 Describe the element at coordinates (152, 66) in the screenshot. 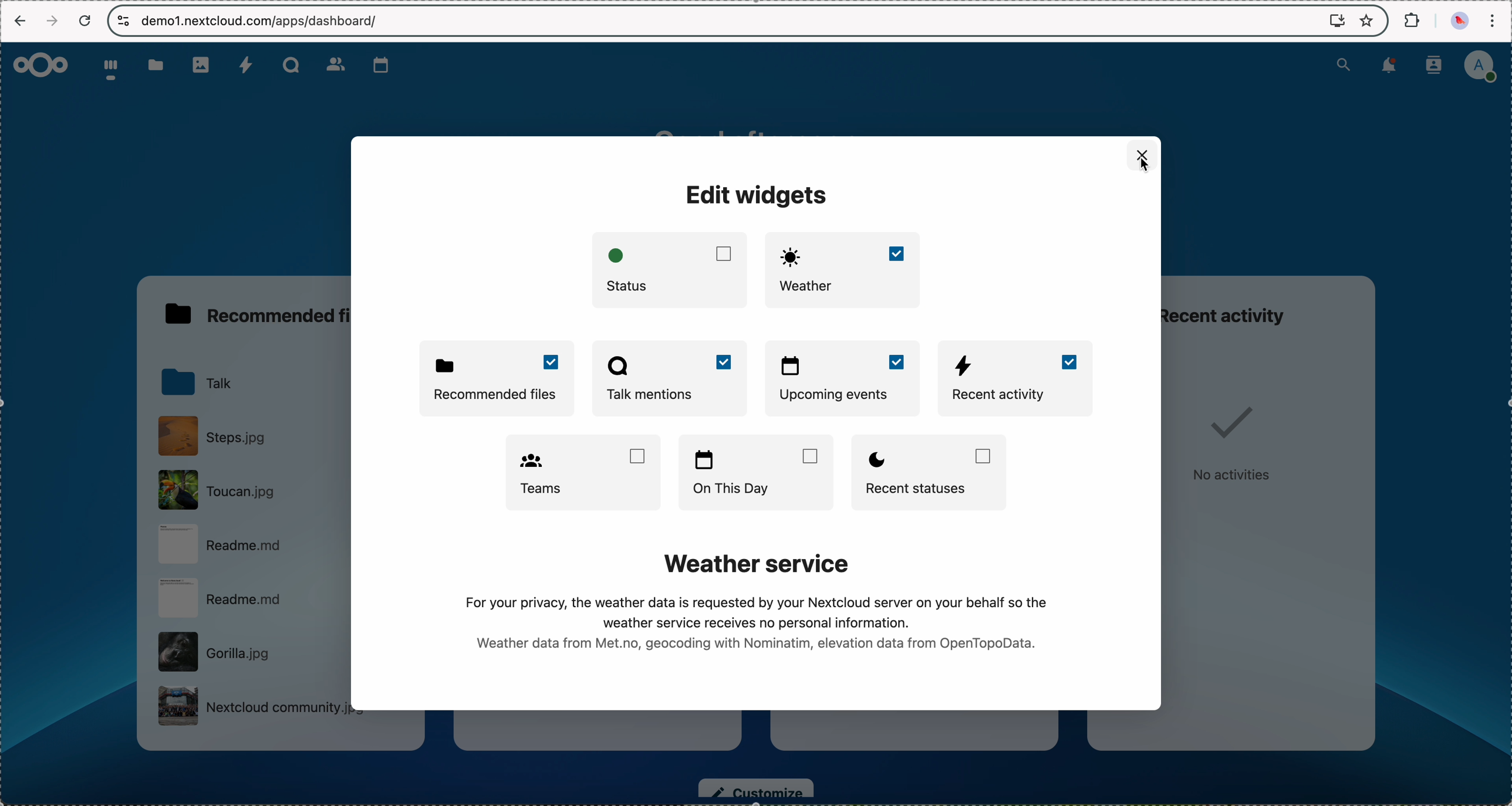

I see `folder` at that location.